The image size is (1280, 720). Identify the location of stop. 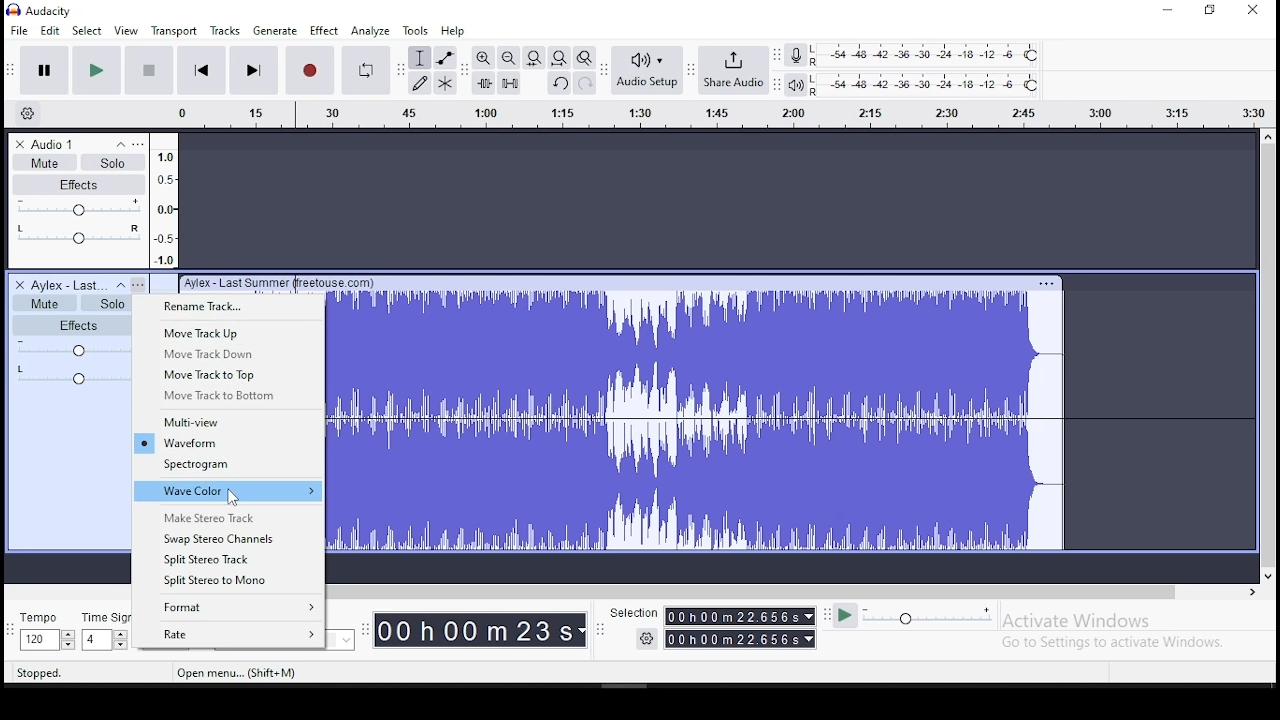
(149, 70).